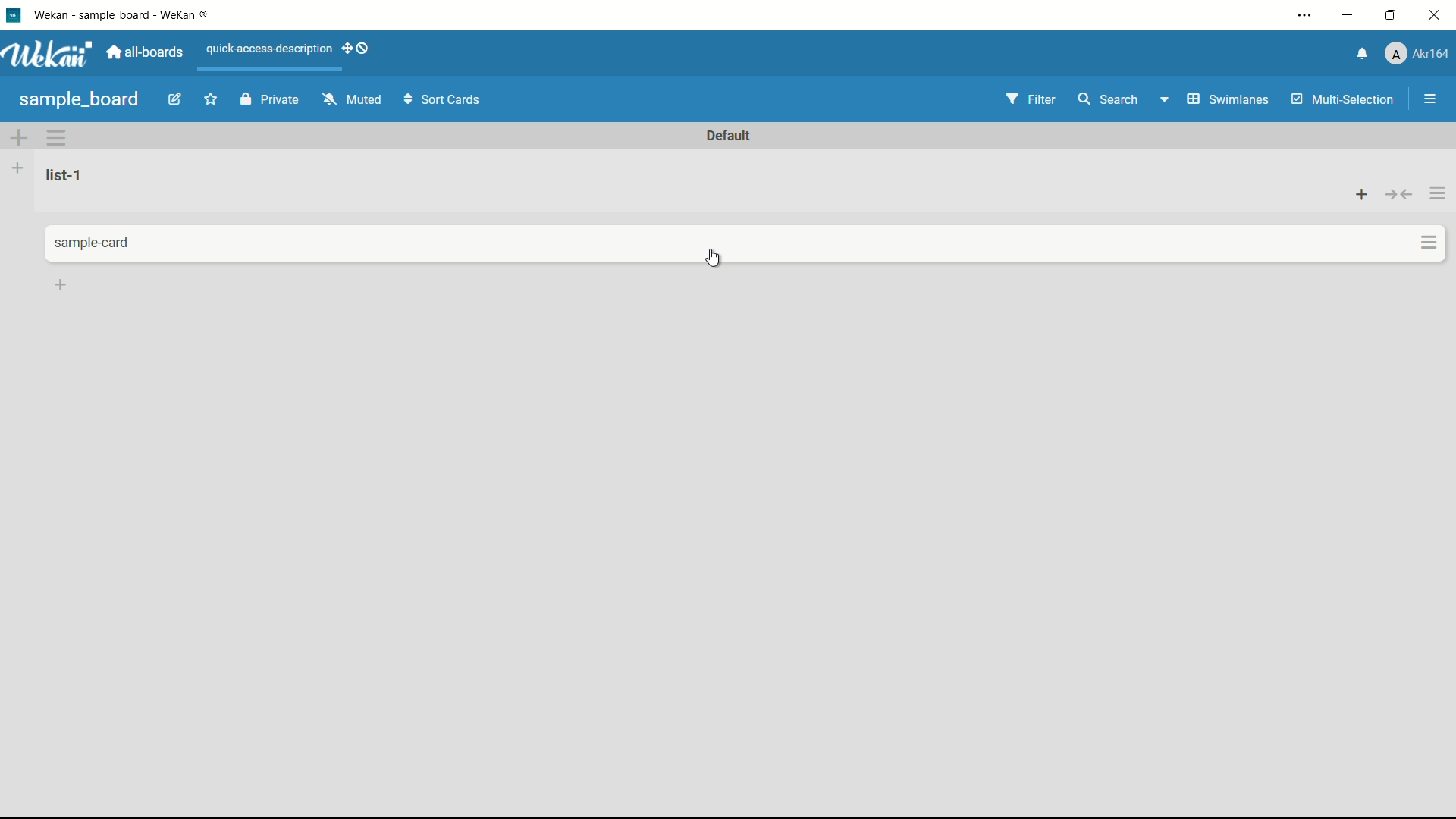 This screenshot has height=819, width=1456. Describe the element at coordinates (213, 101) in the screenshot. I see `star` at that location.